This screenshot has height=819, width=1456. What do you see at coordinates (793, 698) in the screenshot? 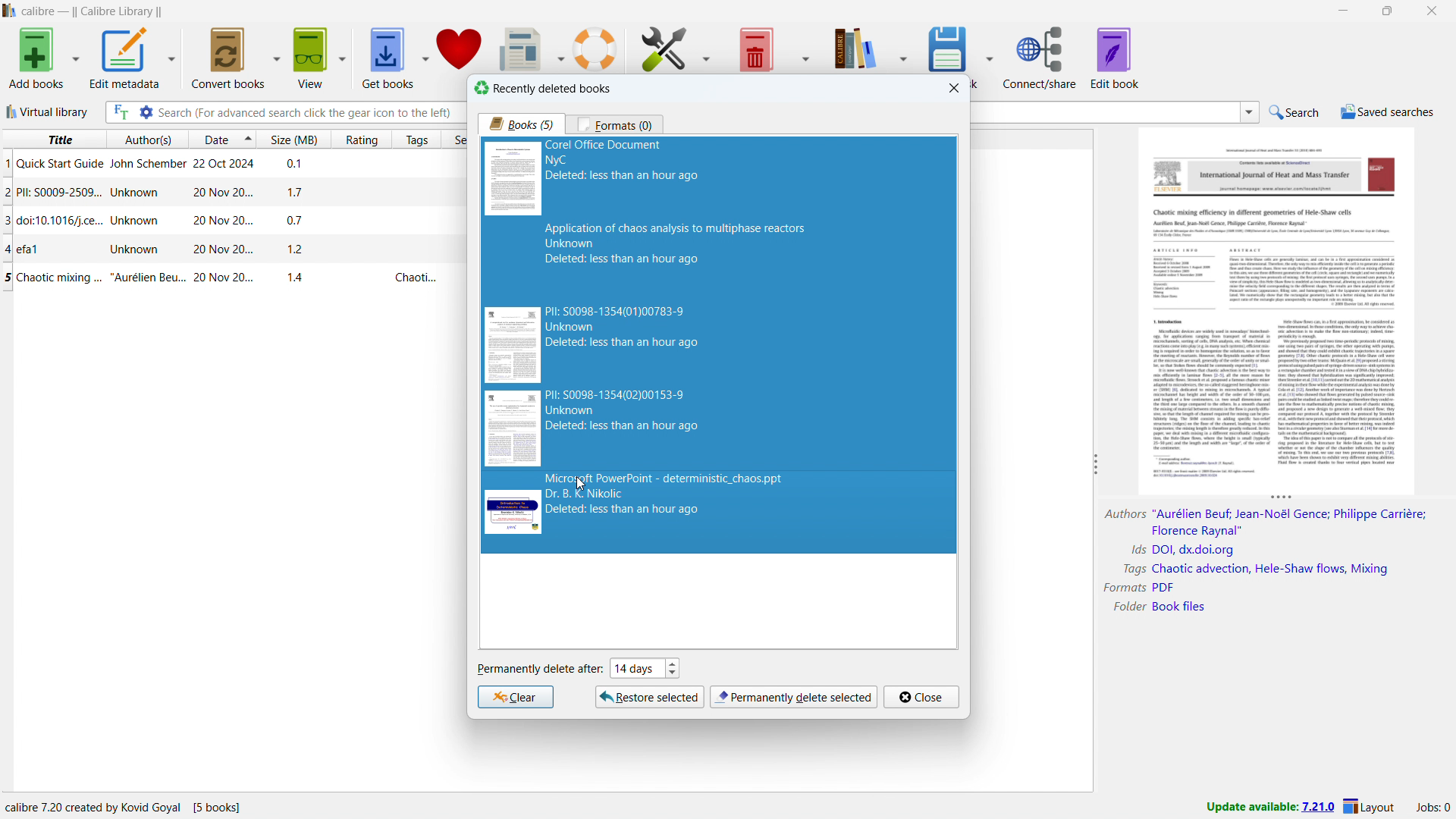
I see `permanently delete selection` at bounding box center [793, 698].